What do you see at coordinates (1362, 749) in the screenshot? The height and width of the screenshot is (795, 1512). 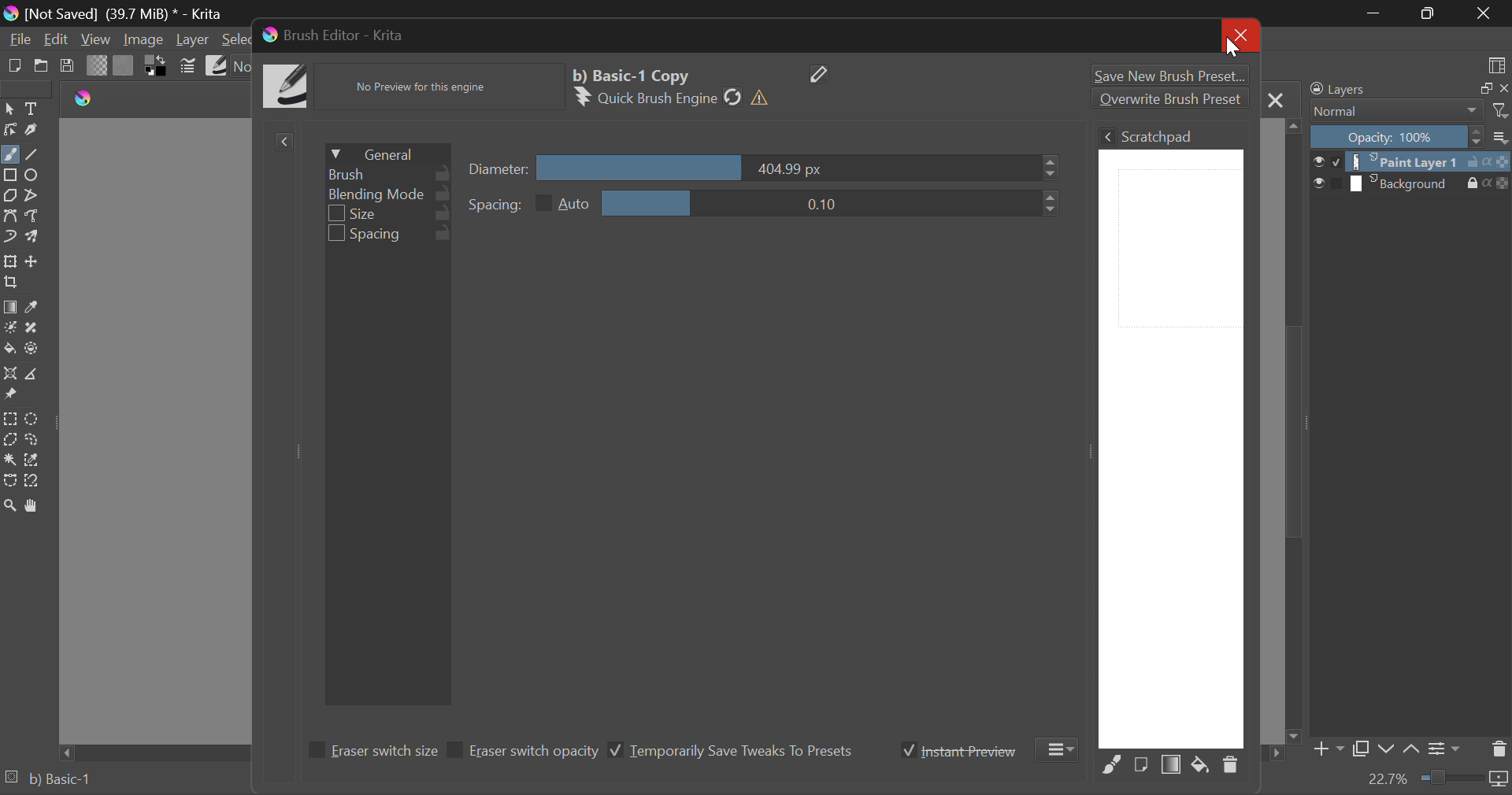 I see `Copy Layer` at bounding box center [1362, 749].